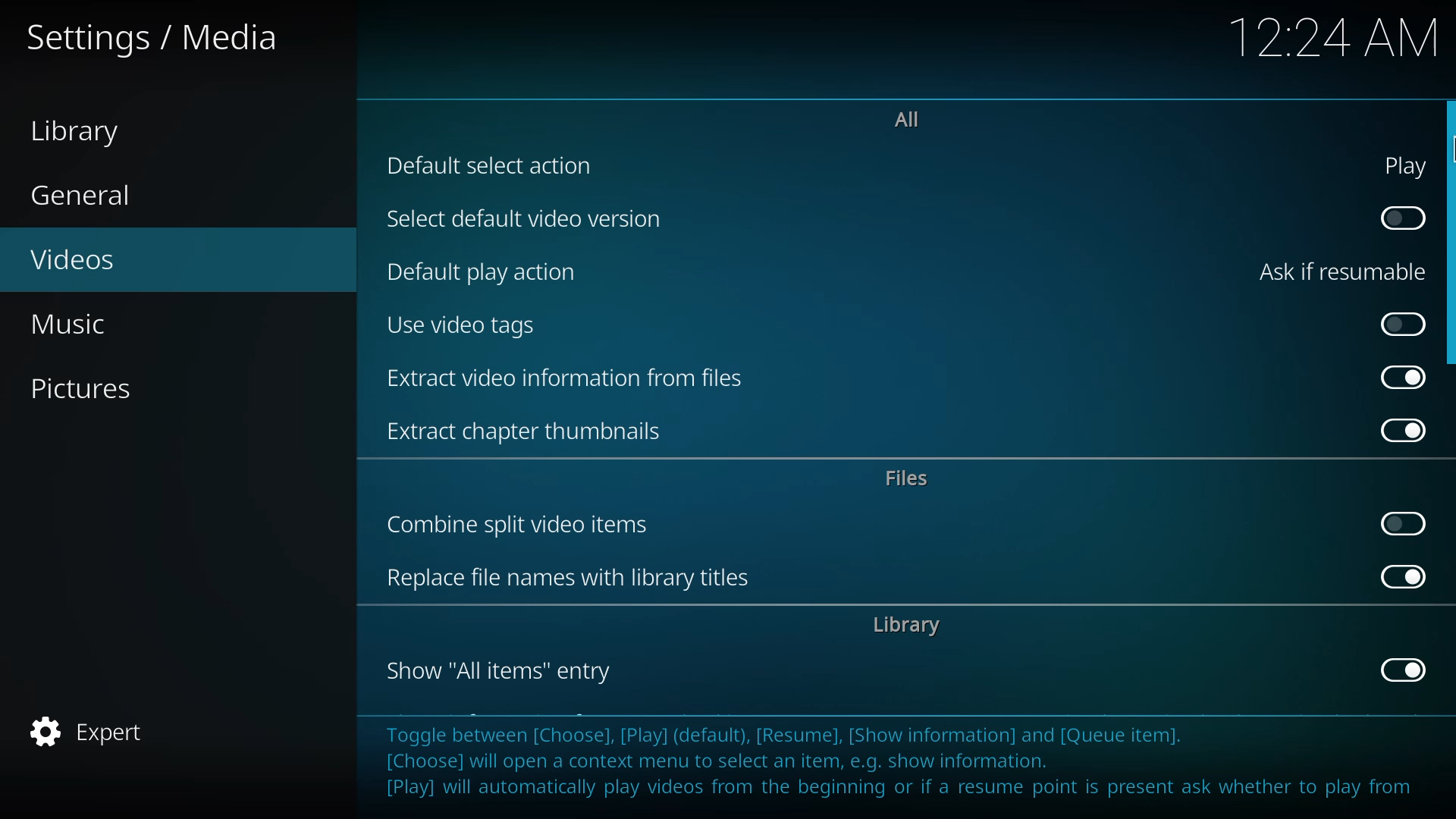 This screenshot has height=819, width=1456. I want to click on enabled, so click(1403, 670).